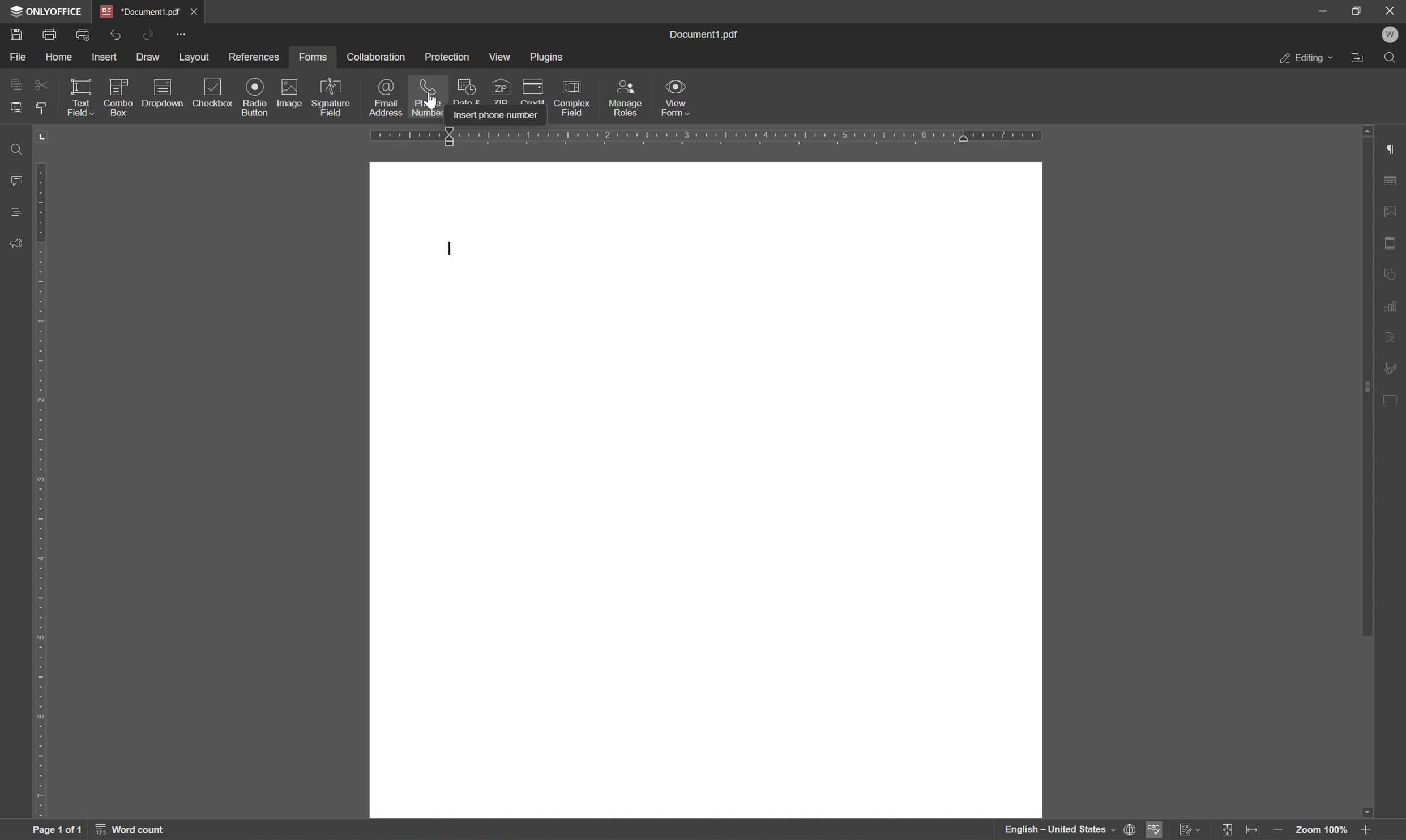 The width and height of the screenshot is (1406, 840). I want to click on undo, so click(115, 35).